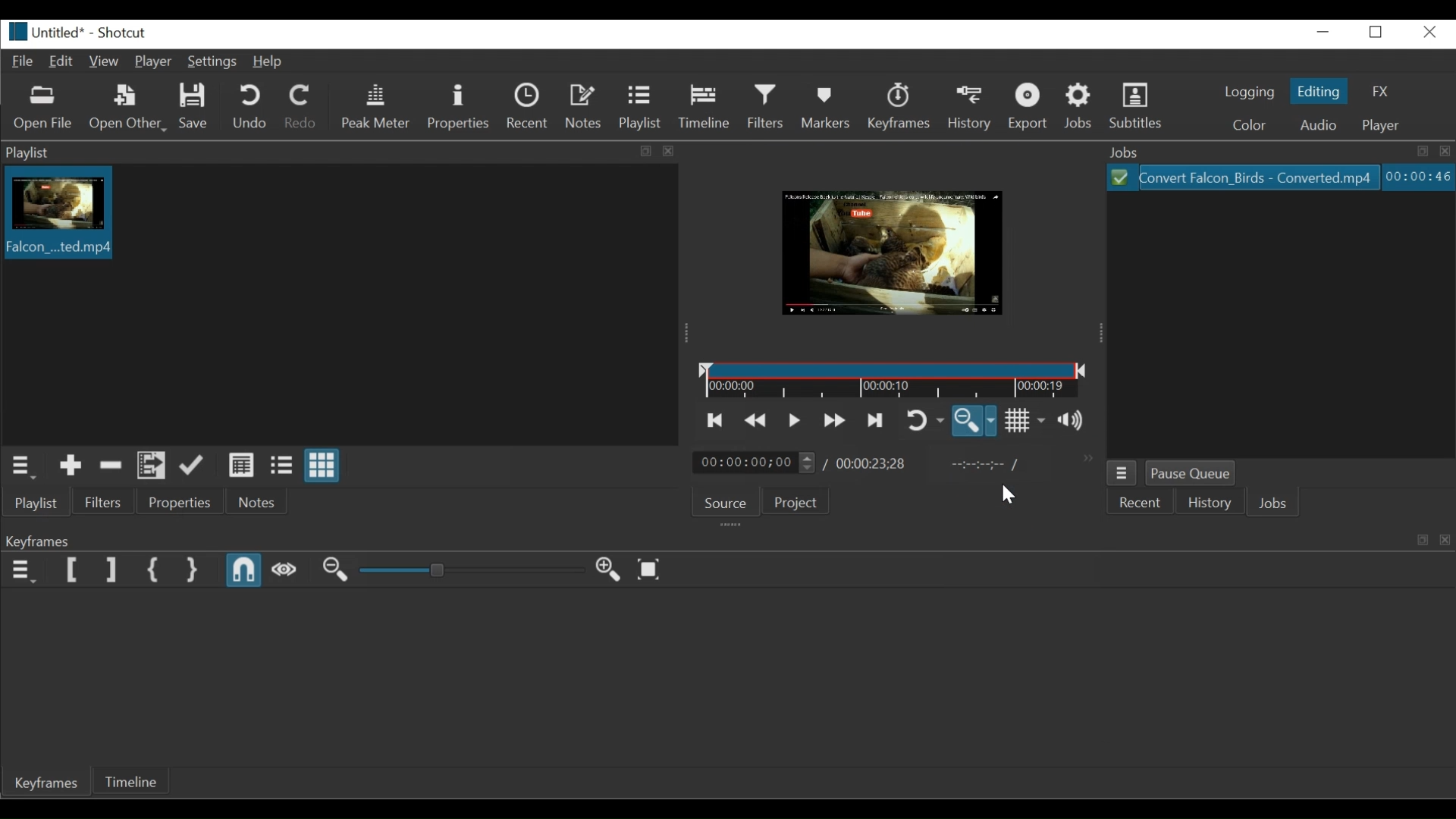 This screenshot has height=819, width=1456. What do you see at coordinates (757, 421) in the screenshot?
I see `Play quickly backward` at bounding box center [757, 421].